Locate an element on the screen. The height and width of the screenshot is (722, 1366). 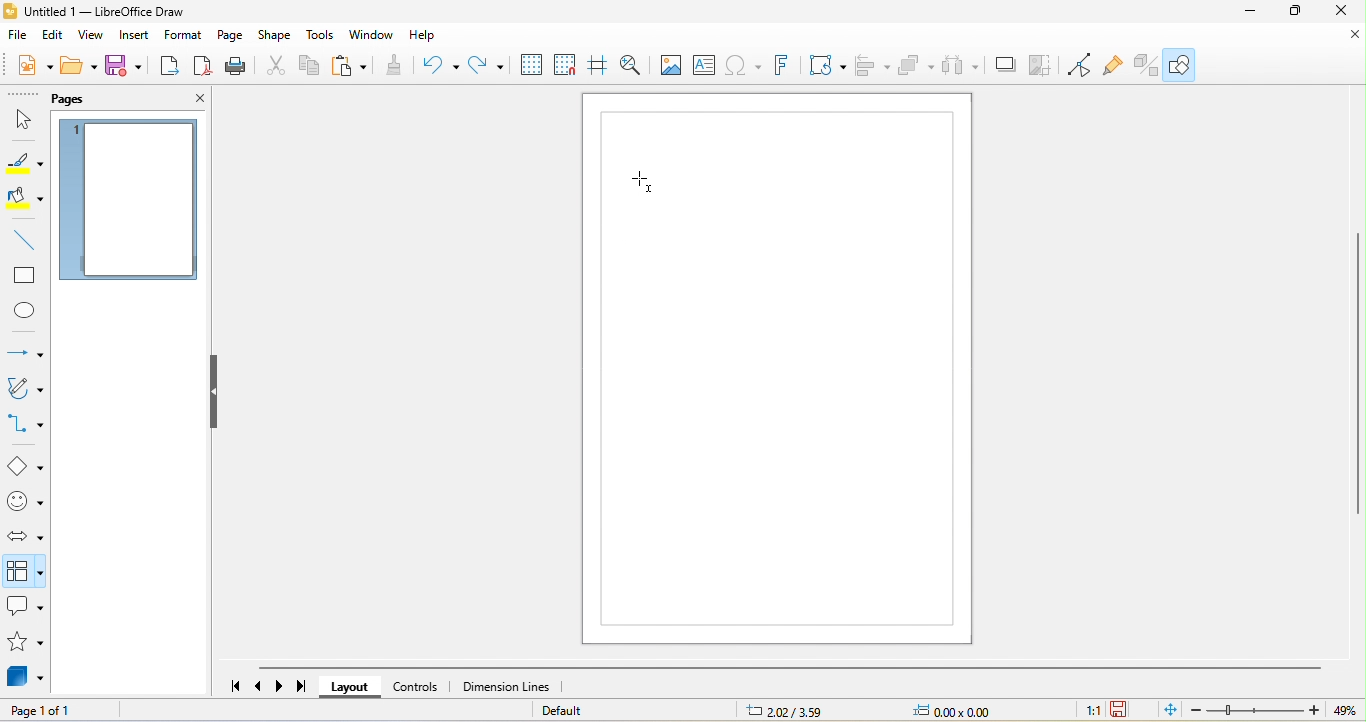
transformation is located at coordinates (828, 67).